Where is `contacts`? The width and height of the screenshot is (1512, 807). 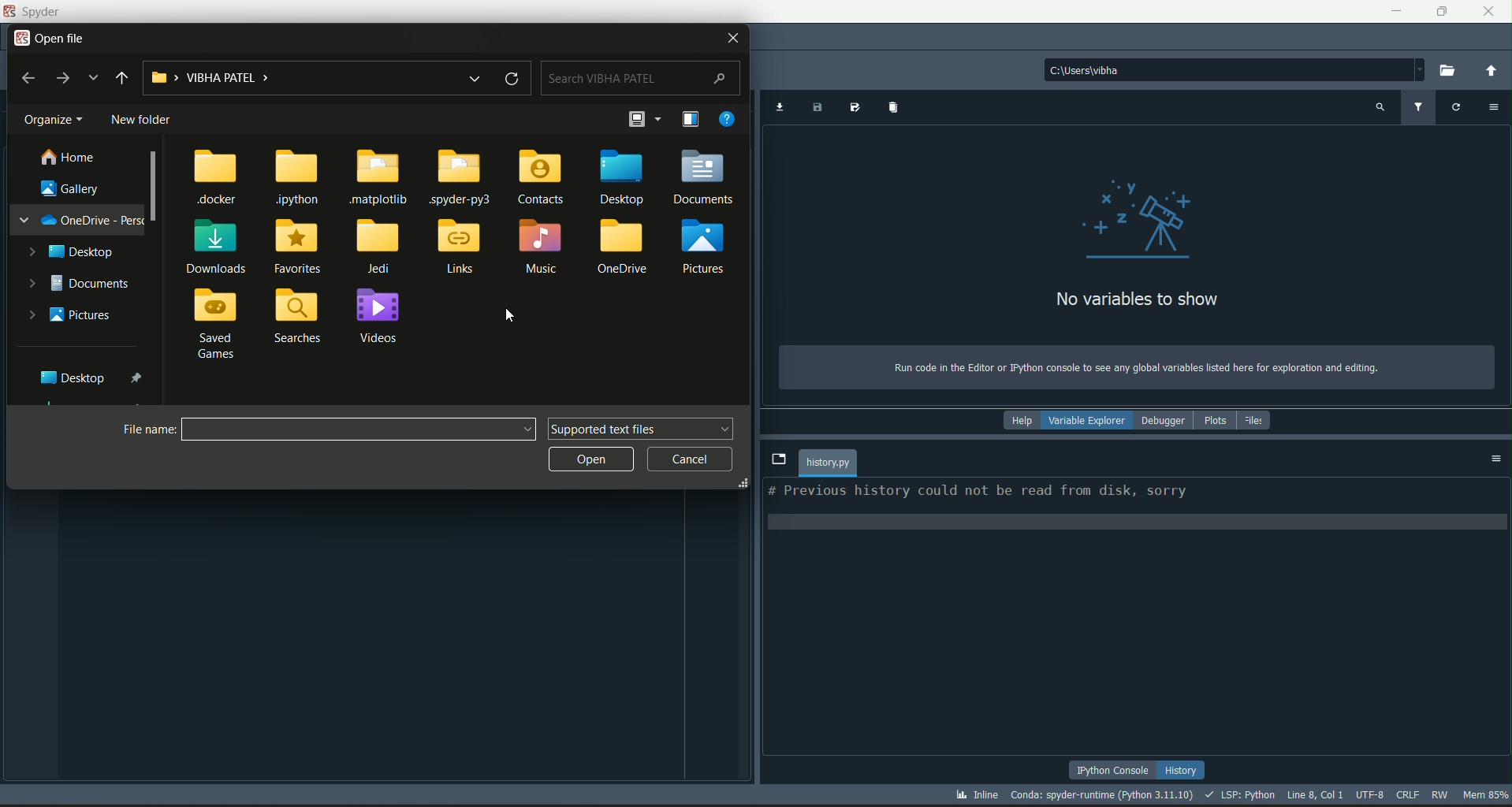 contacts is located at coordinates (541, 177).